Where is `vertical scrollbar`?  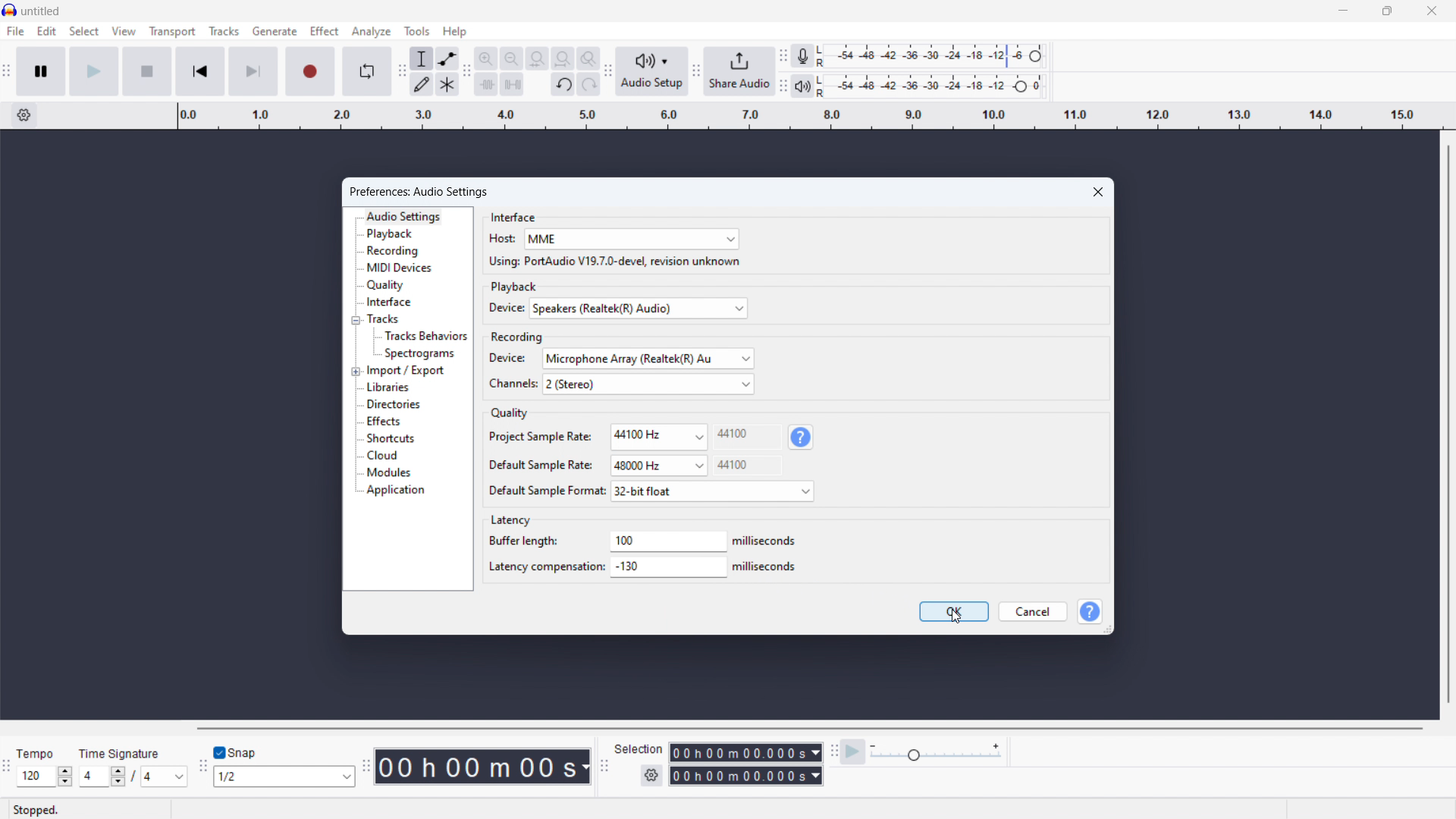
vertical scrollbar is located at coordinates (1449, 422).